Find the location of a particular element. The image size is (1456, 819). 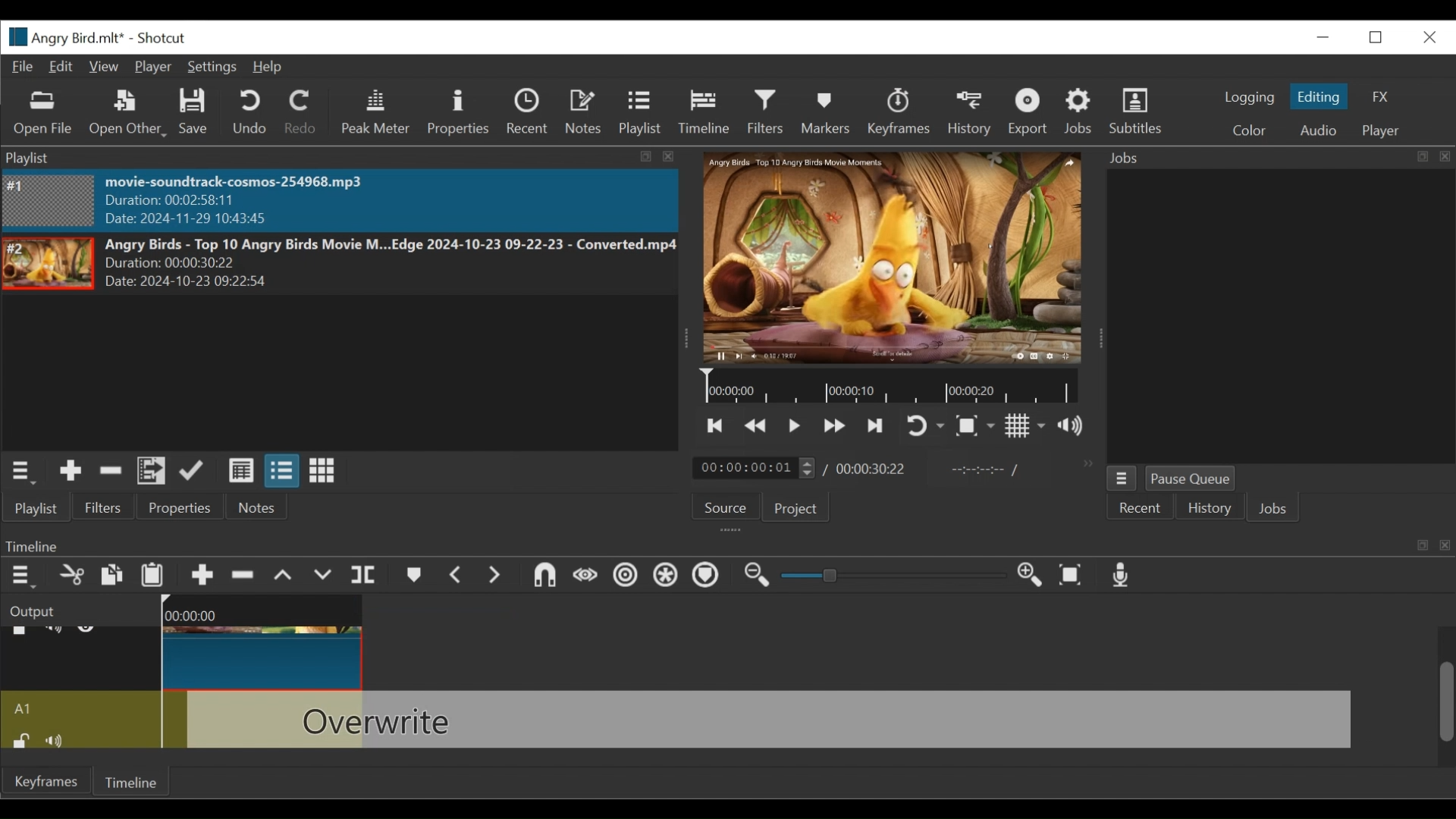

Paste is located at coordinates (153, 575).